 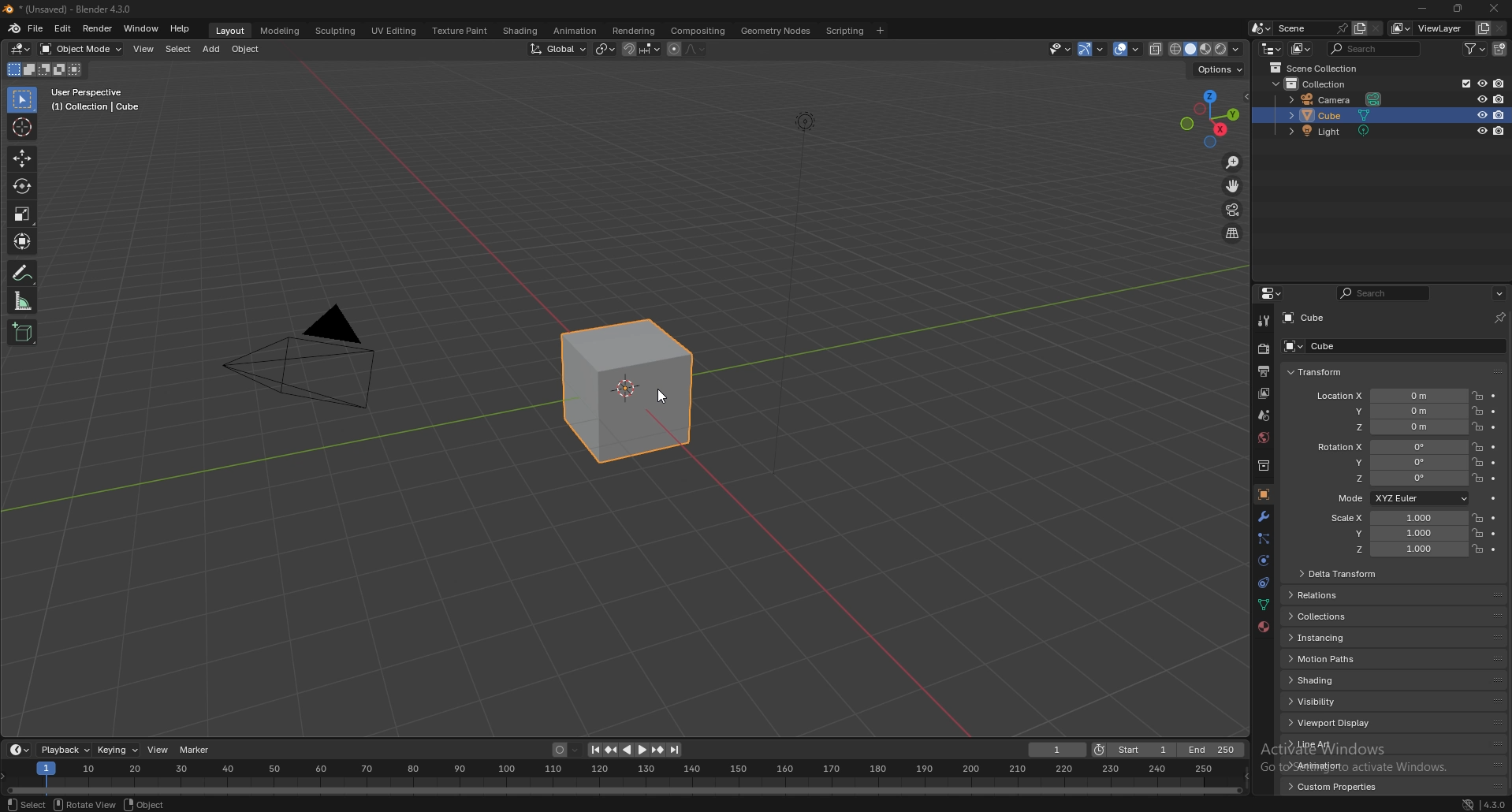 What do you see at coordinates (1234, 234) in the screenshot?
I see `switch view from perspective/orthographic position` at bounding box center [1234, 234].